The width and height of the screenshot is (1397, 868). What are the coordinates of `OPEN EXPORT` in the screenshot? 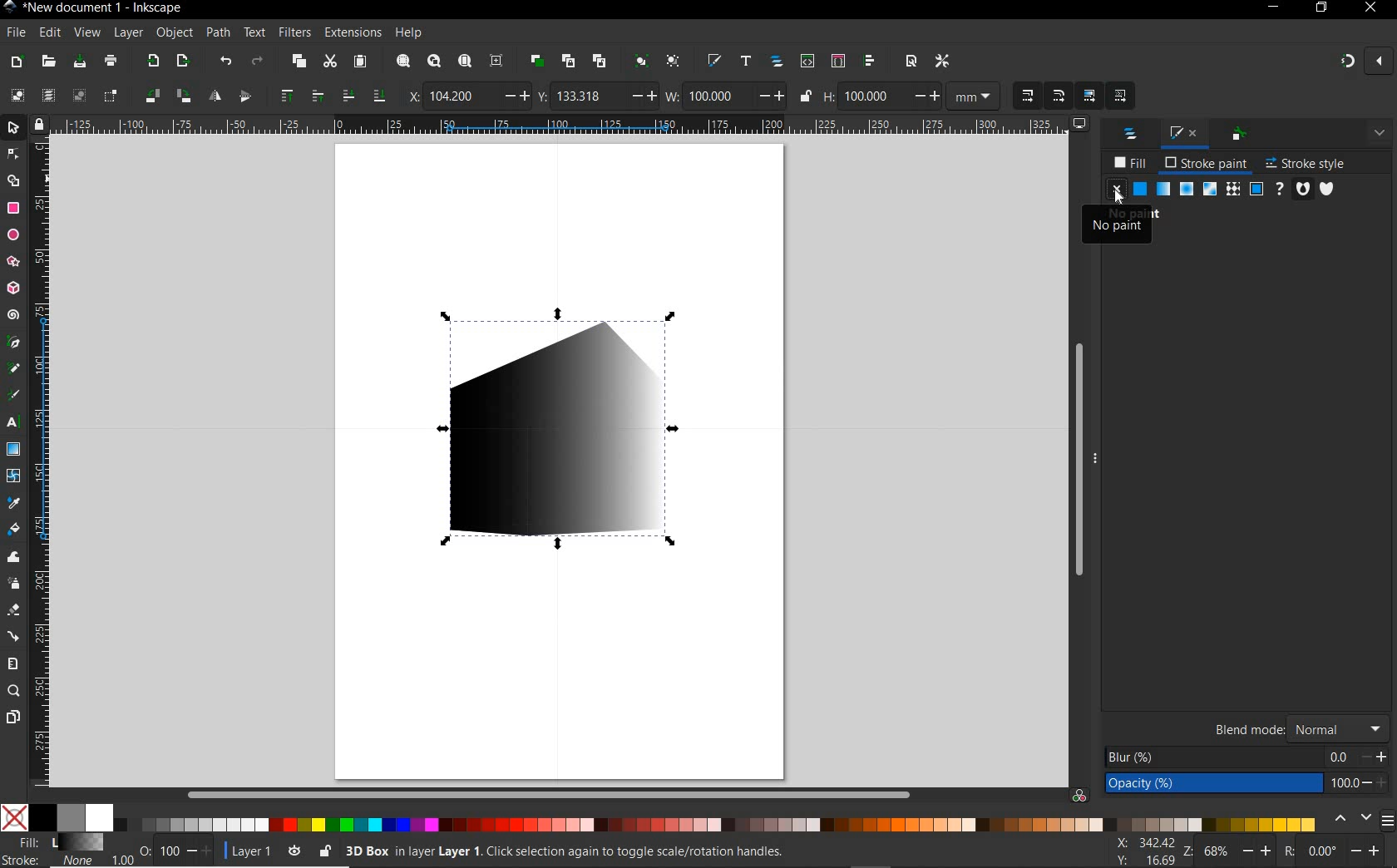 It's located at (183, 62).